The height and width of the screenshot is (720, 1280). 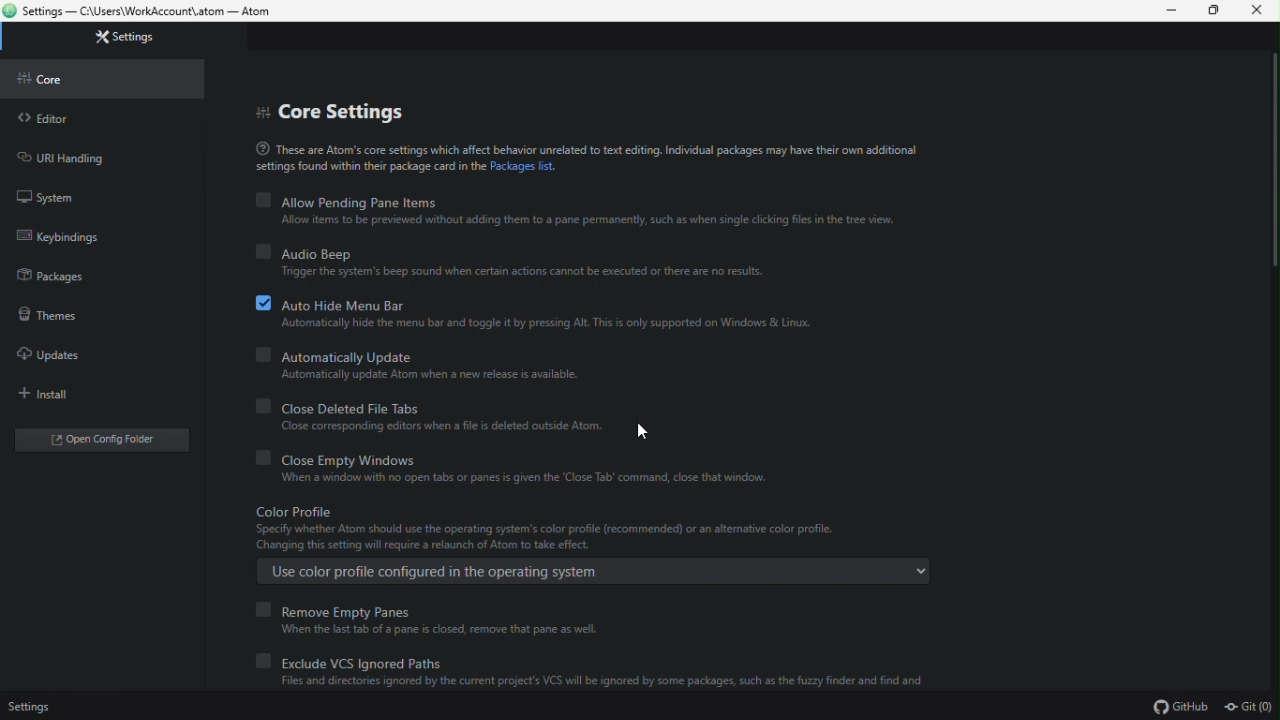 I want to click on ‘settings found within thew package card in the, so click(x=369, y=167).